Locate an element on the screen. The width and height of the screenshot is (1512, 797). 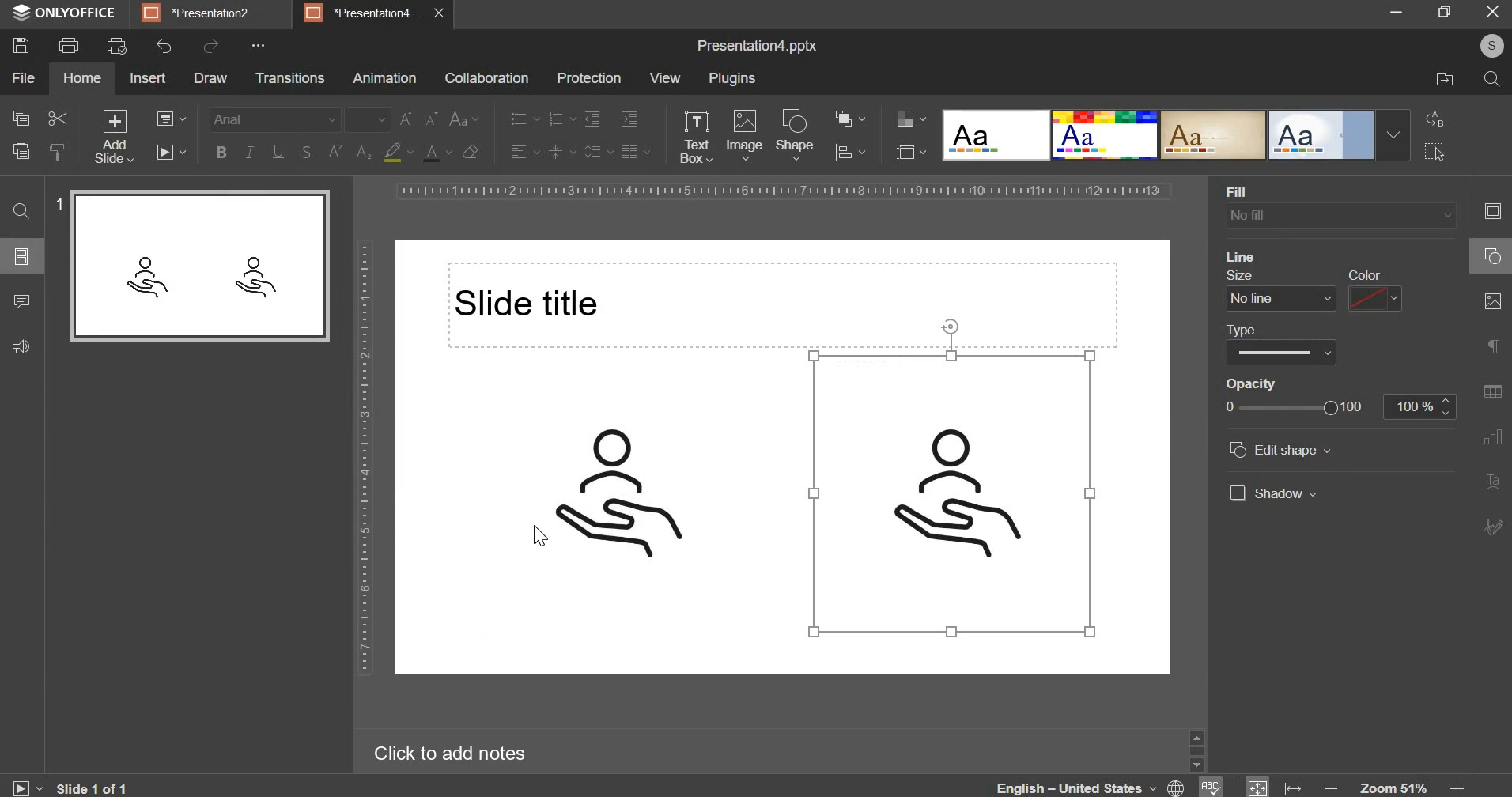
design is located at coordinates (1215, 136).